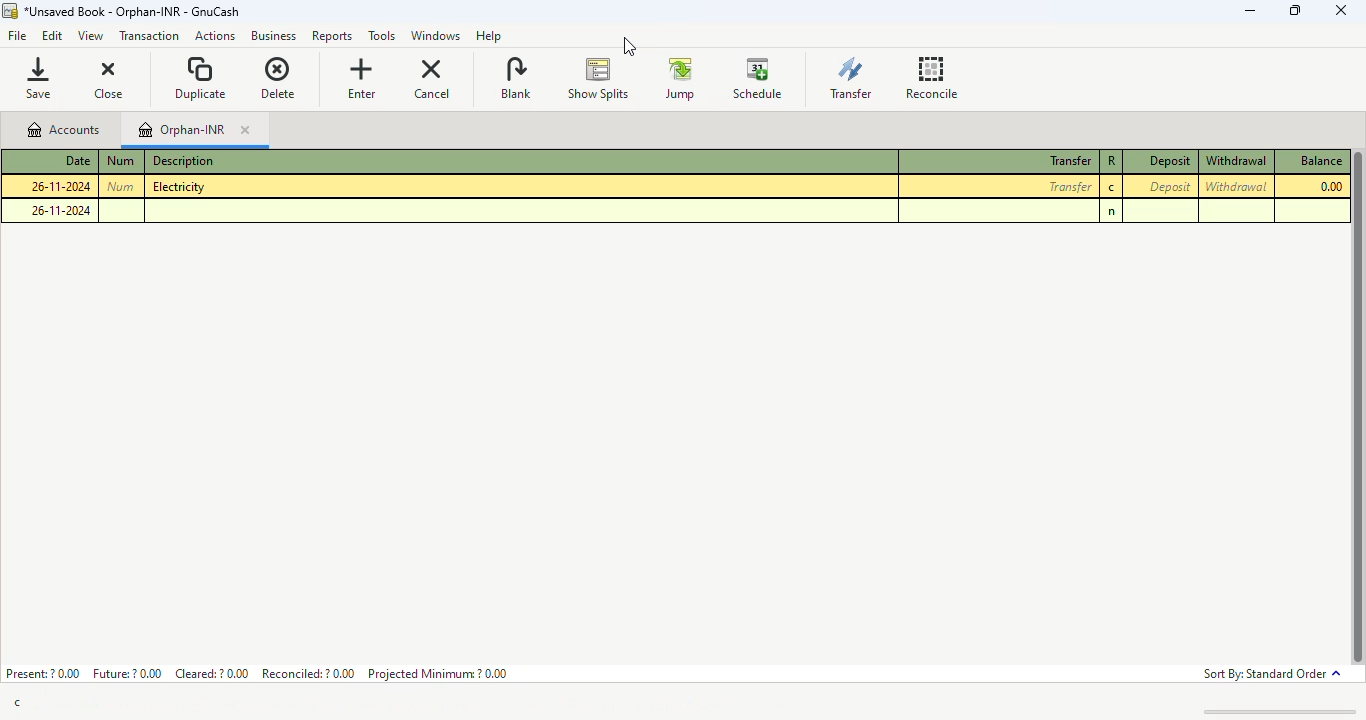 The height and width of the screenshot is (720, 1366). Describe the element at coordinates (201, 77) in the screenshot. I see `duplicate` at that location.